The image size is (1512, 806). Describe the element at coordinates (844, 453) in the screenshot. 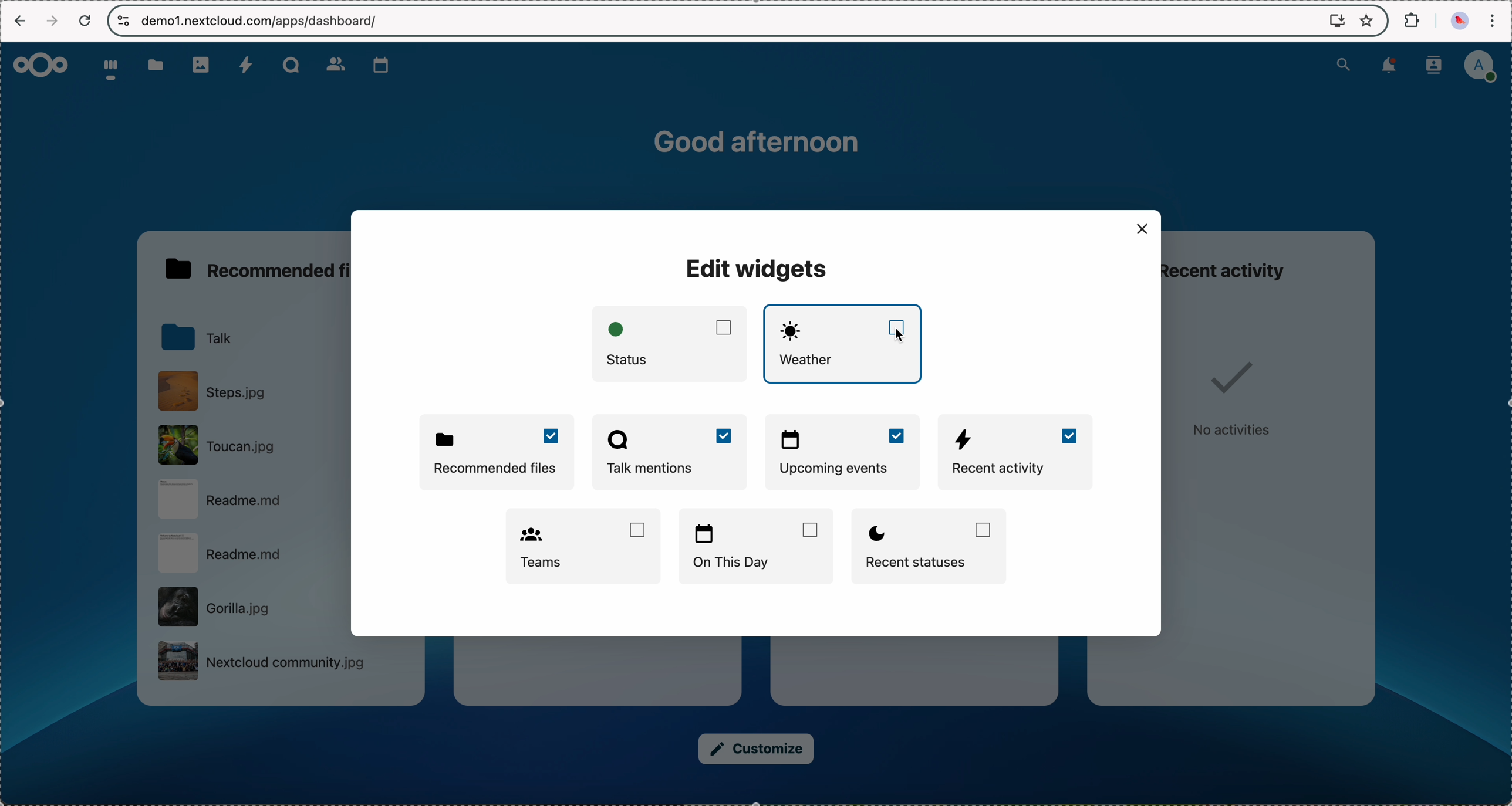

I see `enable upcoming events` at that location.